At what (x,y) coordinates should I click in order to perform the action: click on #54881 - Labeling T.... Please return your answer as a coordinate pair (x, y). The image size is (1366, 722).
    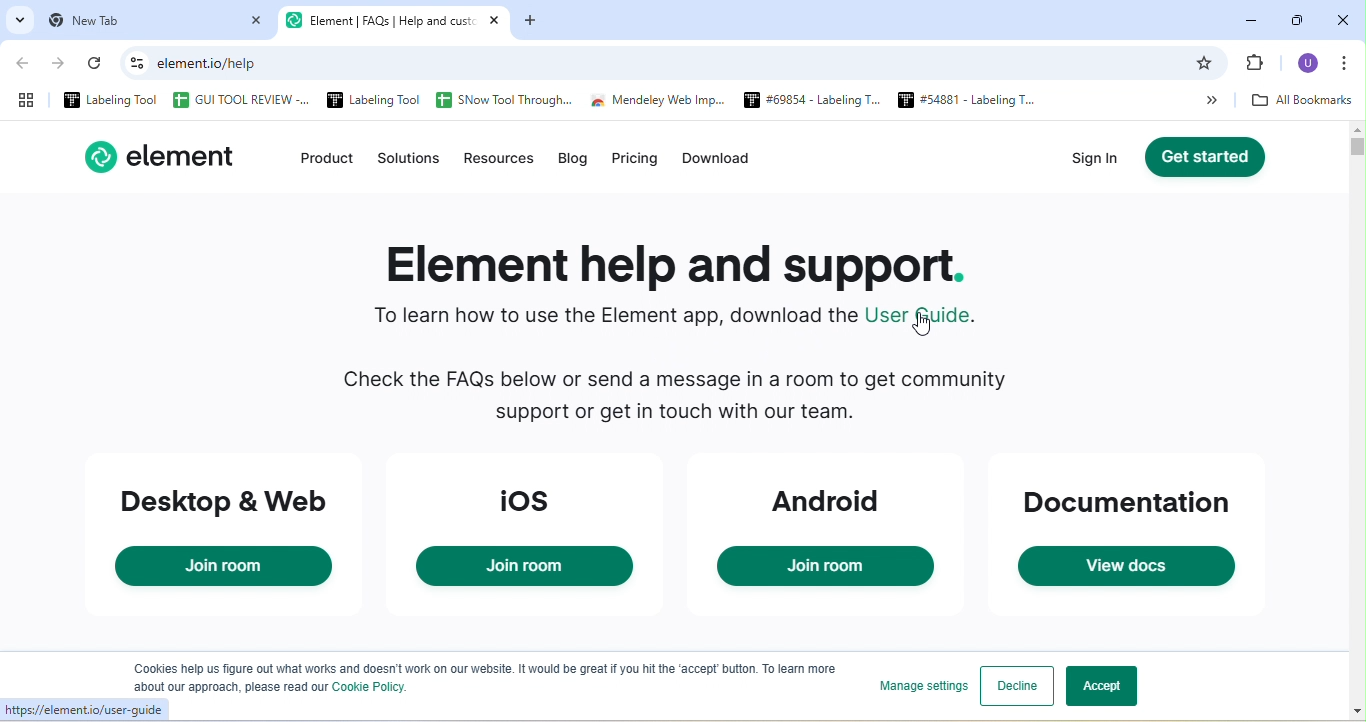
    Looking at the image, I should click on (959, 100).